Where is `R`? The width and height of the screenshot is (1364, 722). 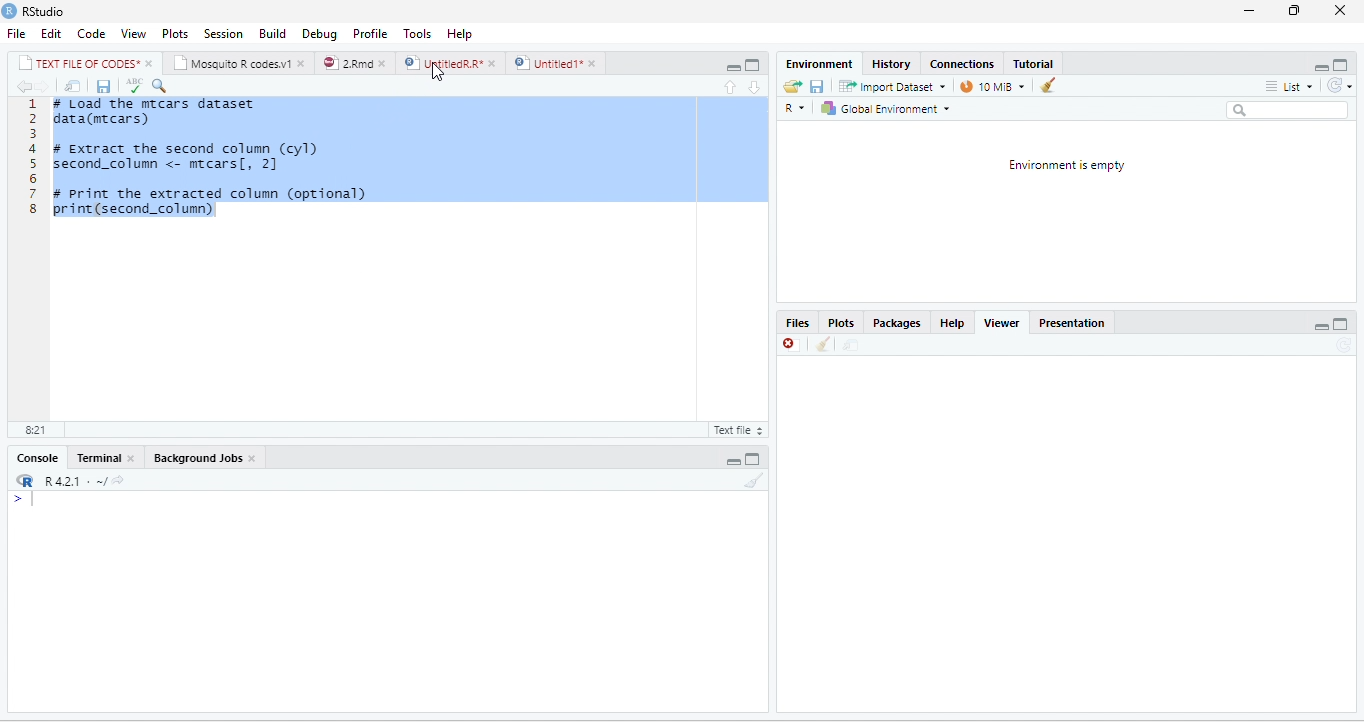 R is located at coordinates (798, 108).